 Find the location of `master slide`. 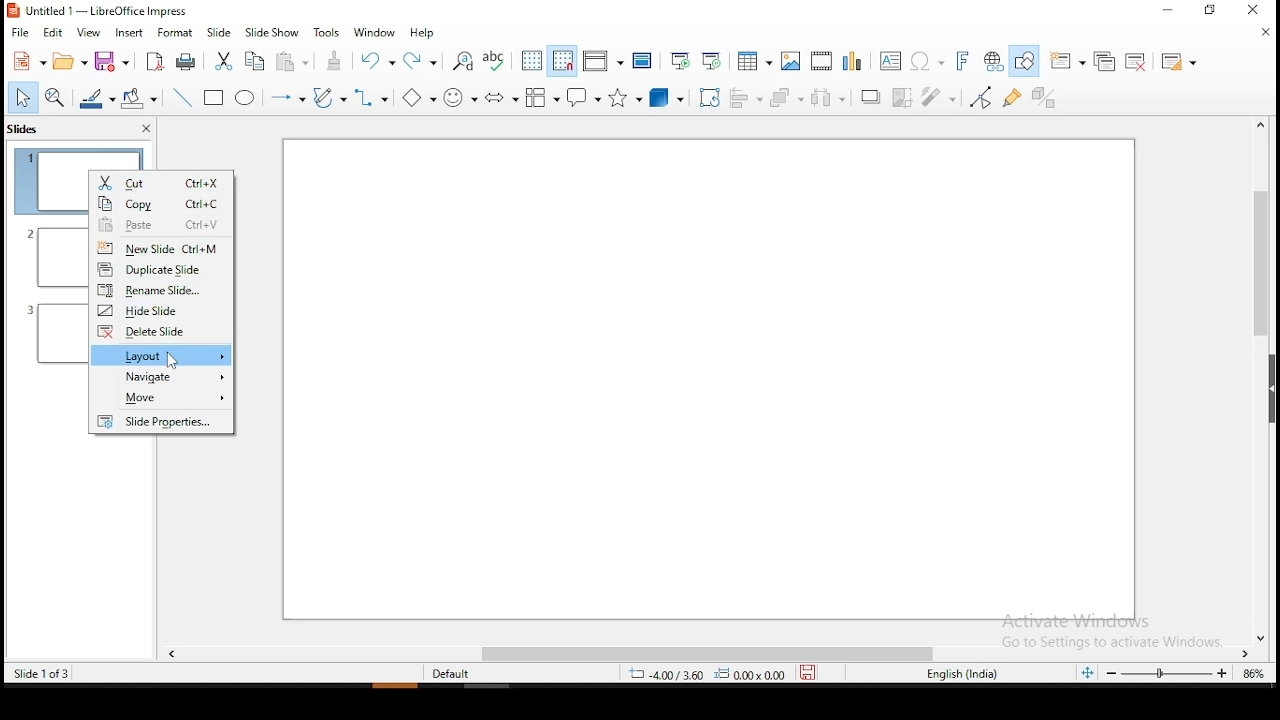

master slide is located at coordinates (643, 62).